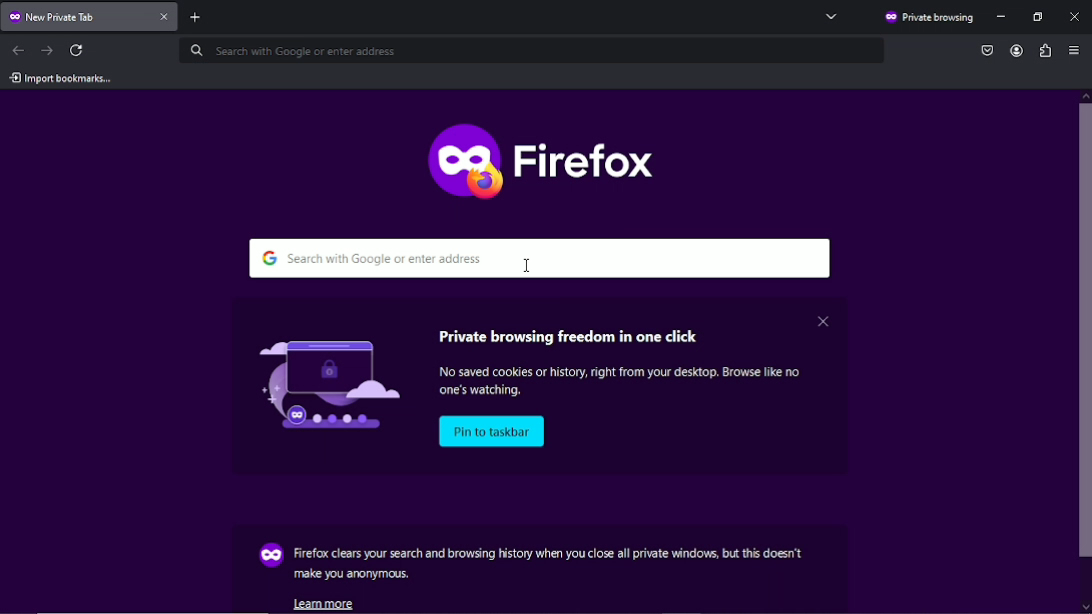 The width and height of the screenshot is (1092, 614). Describe the element at coordinates (1003, 17) in the screenshot. I see `minimize` at that location.